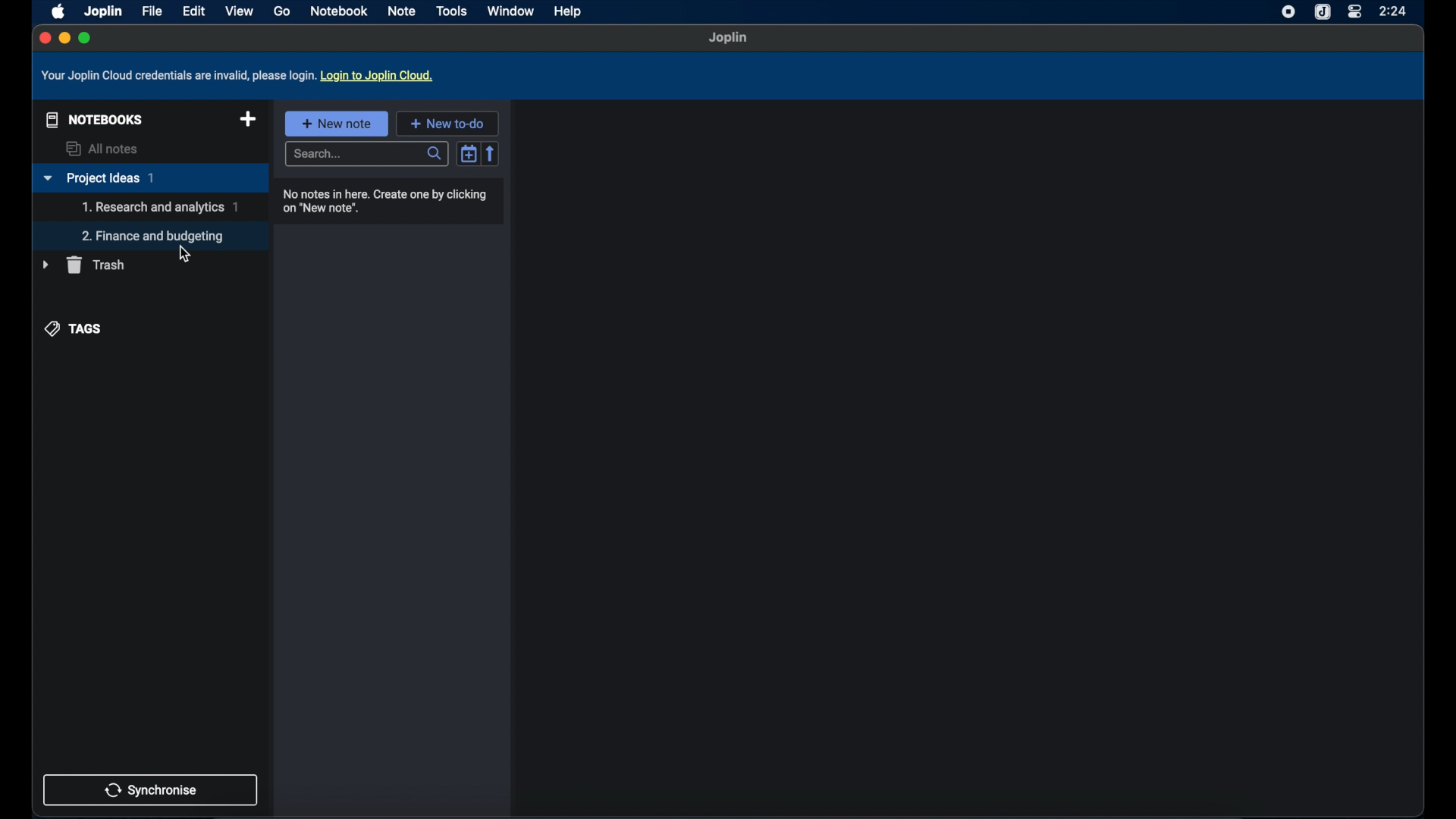 Image resolution: width=1456 pixels, height=819 pixels. I want to click on drag cursor, so click(182, 253).